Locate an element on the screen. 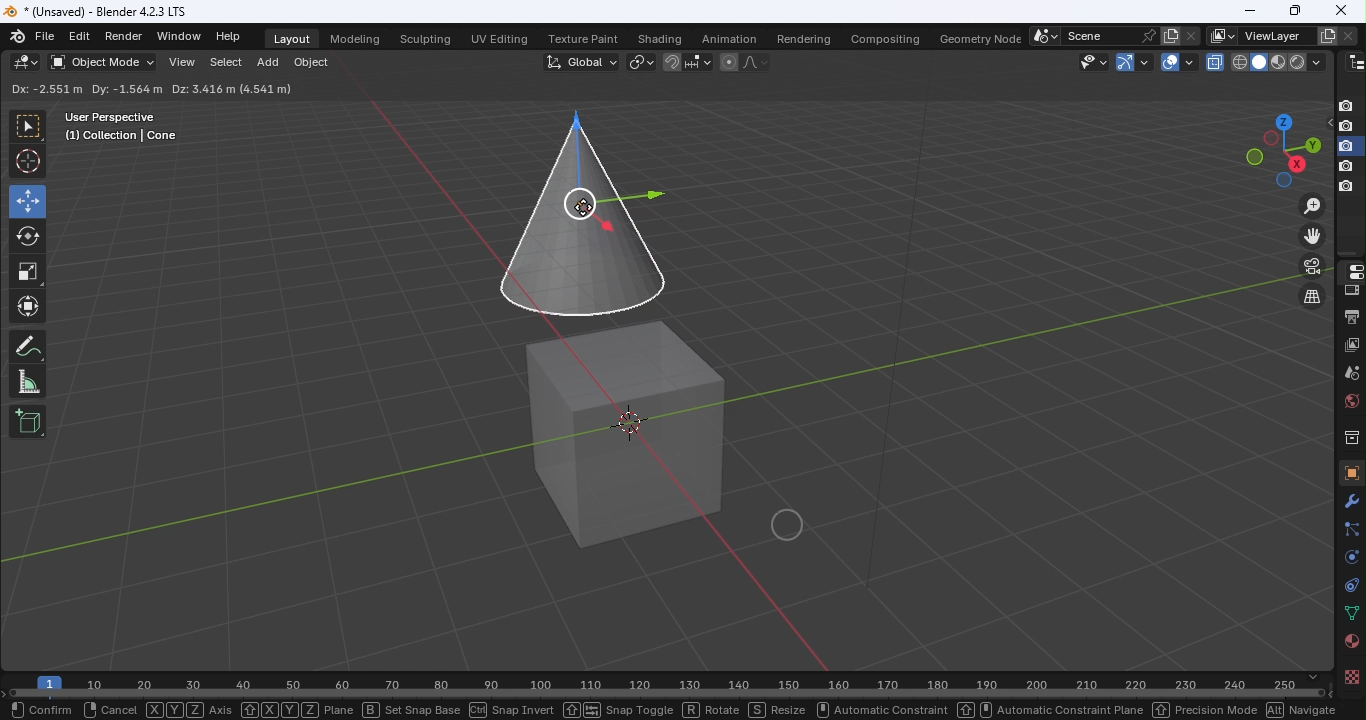 The width and height of the screenshot is (1366, 720). Output is located at coordinates (1349, 315).